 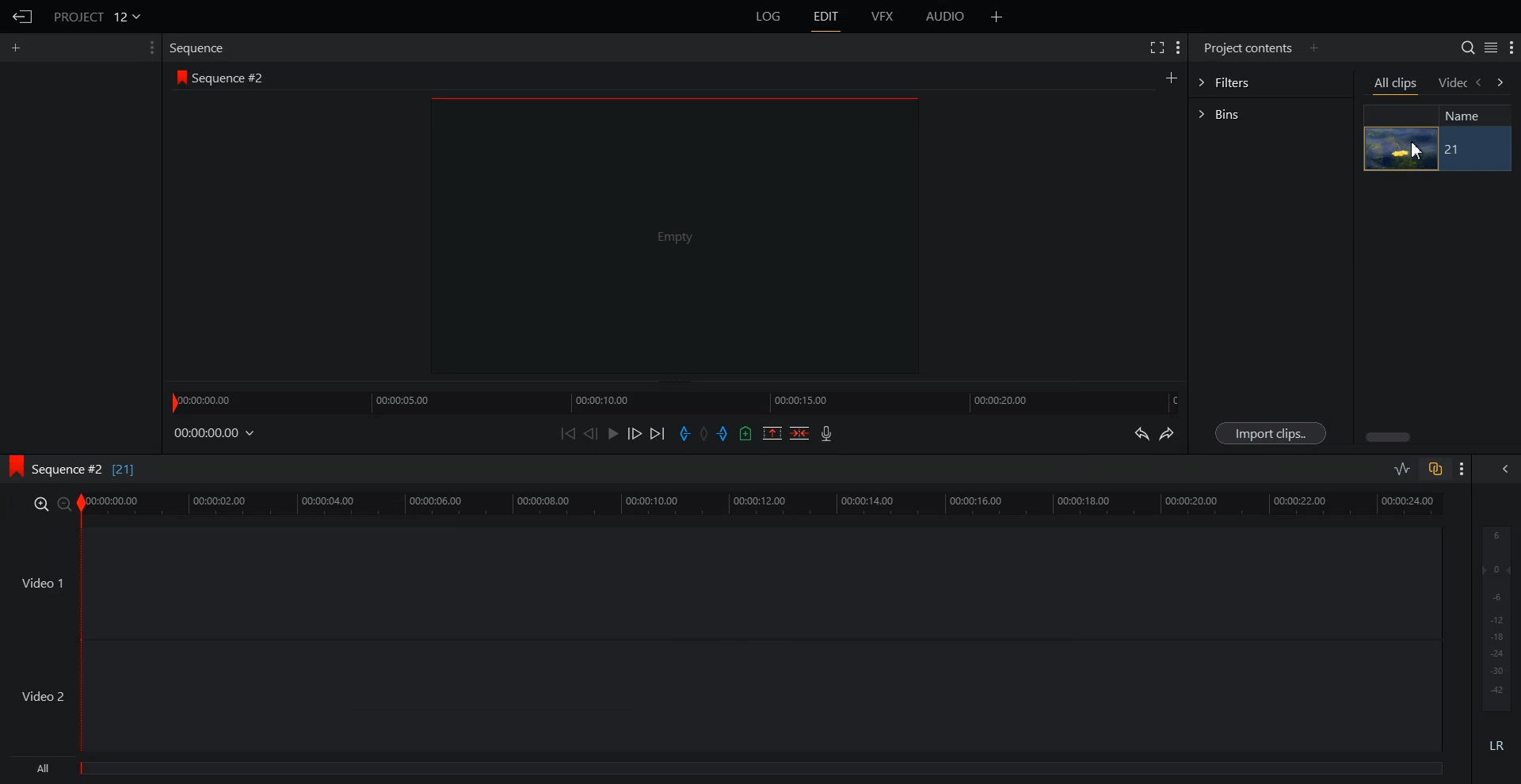 What do you see at coordinates (215, 433) in the screenshot?
I see `File Time` at bounding box center [215, 433].